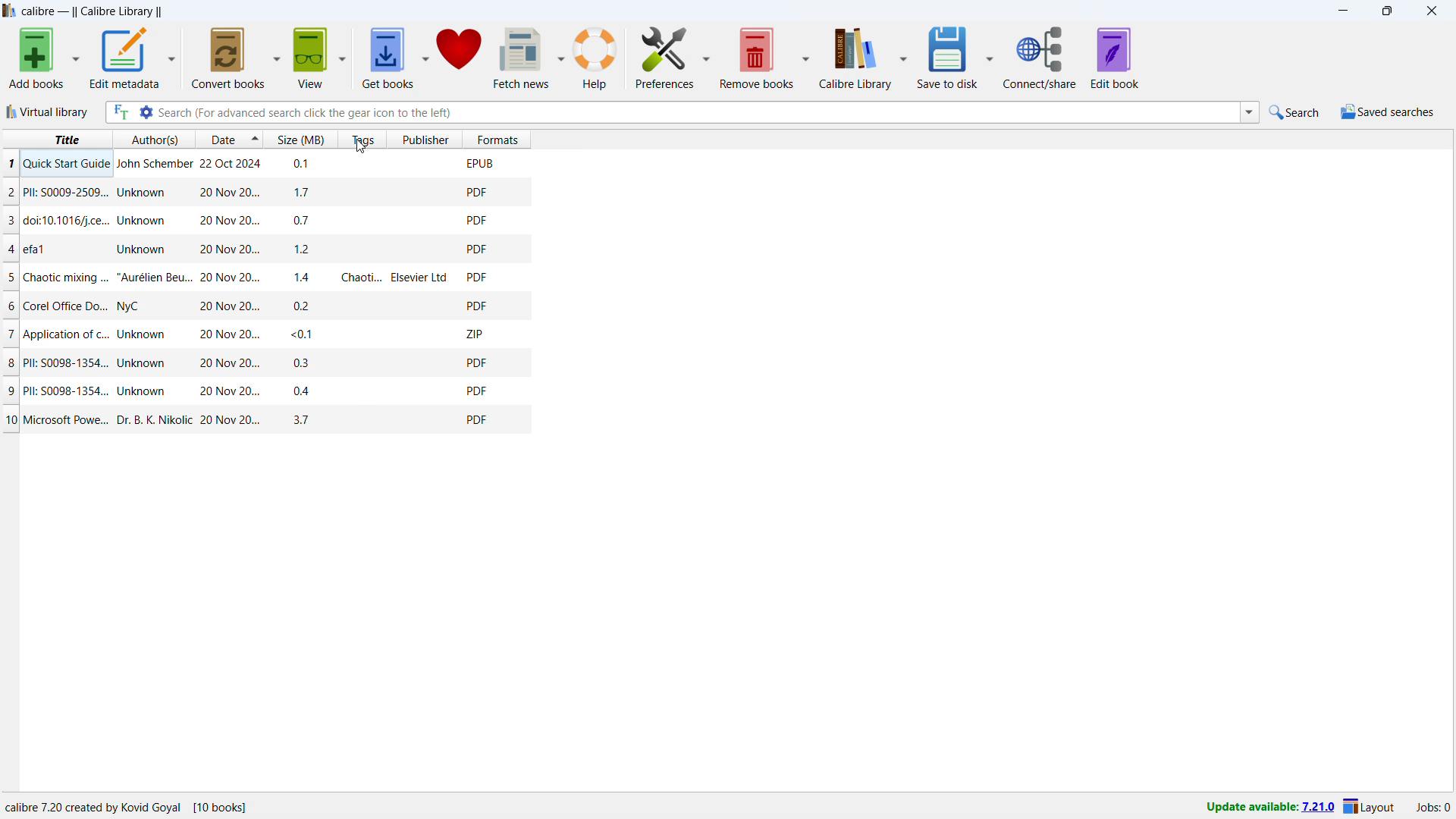  Describe the element at coordinates (229, 57) in the screenshot. I see `` at that location.